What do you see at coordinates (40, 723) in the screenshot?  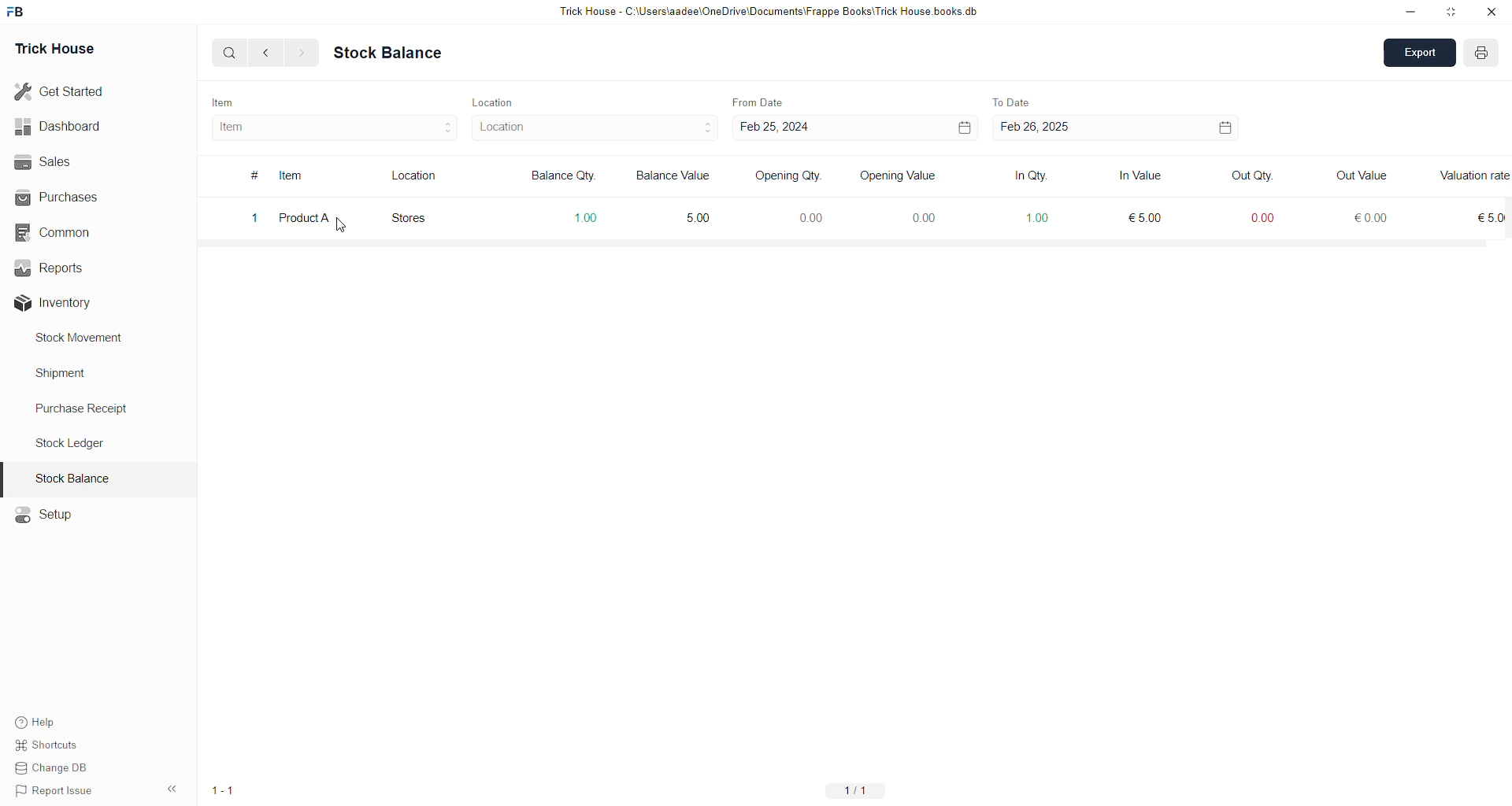 I see `Help` at bounding box center [40, 723].